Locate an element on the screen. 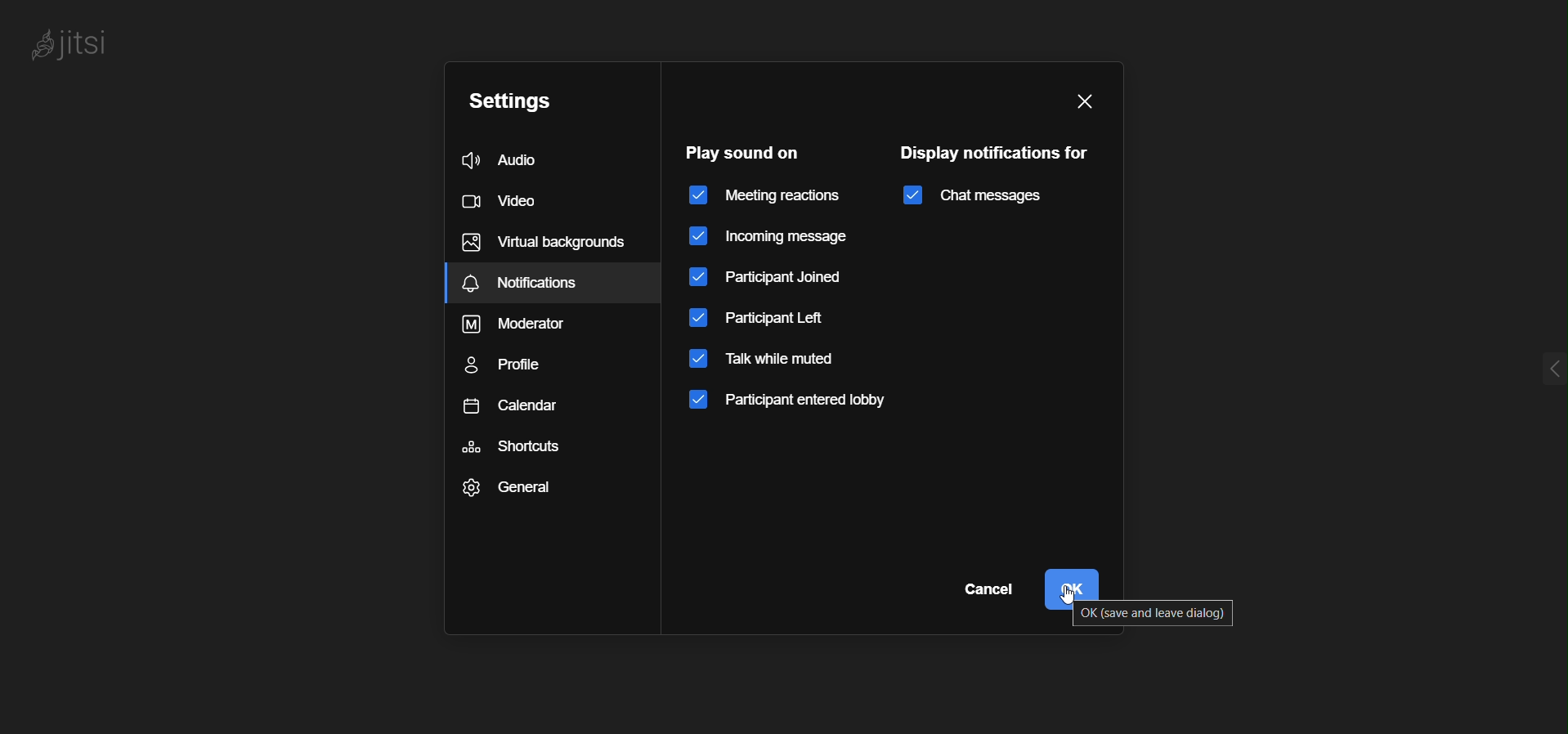 The image size is (1568, 734). virtual backgrounds is located at coordinates (544, 243).